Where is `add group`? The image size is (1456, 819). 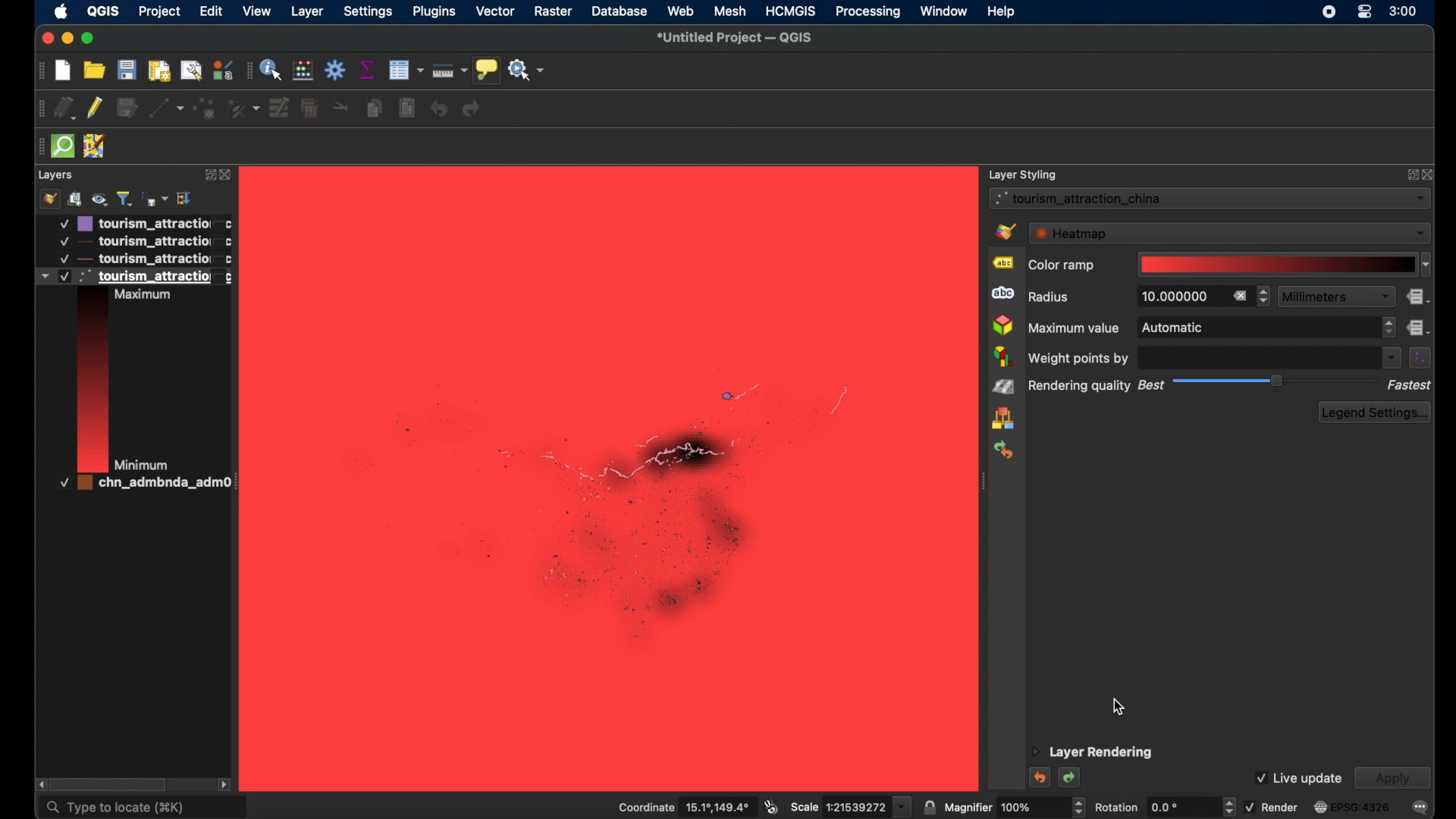 add group is located at coordinates (75, 199).